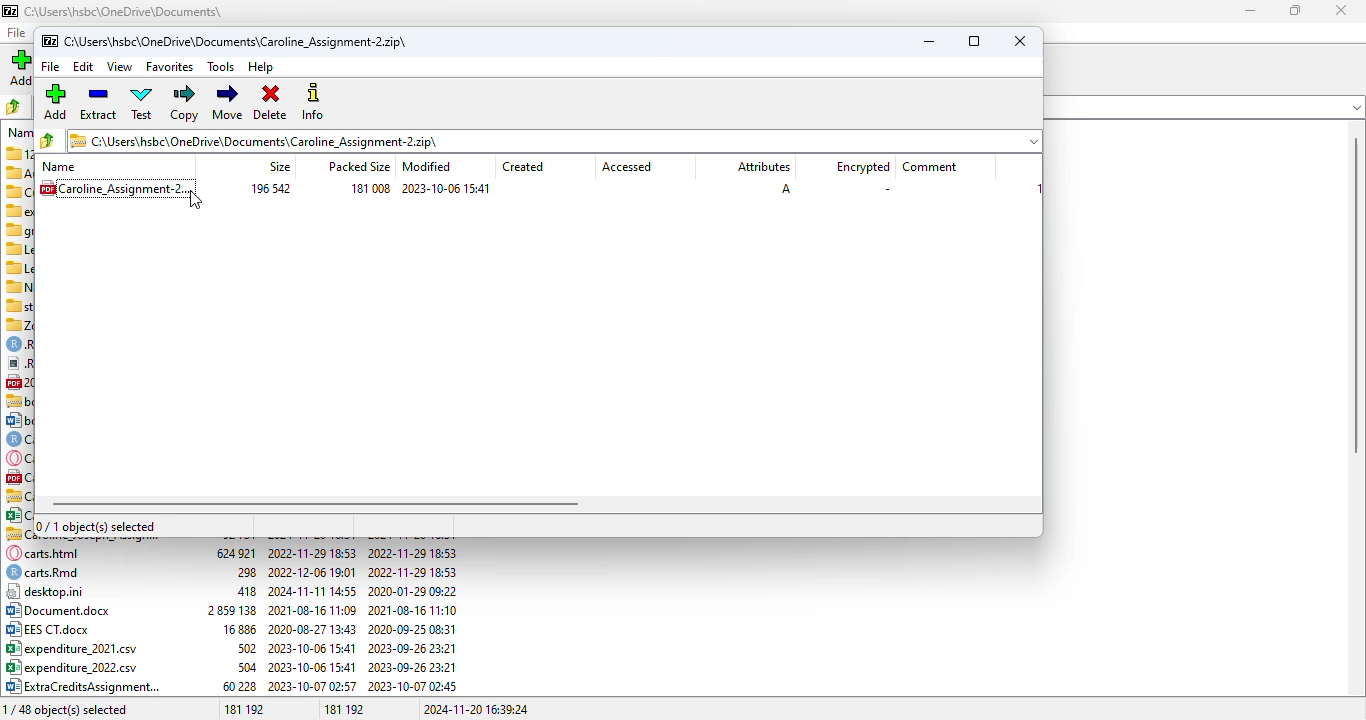 Image resolution: width=1366 pixels, height=720 pixels. What do you see at coordinates (1250, 11) in the screenshot?
I see `minimize` at bounding box center [1250, 11].